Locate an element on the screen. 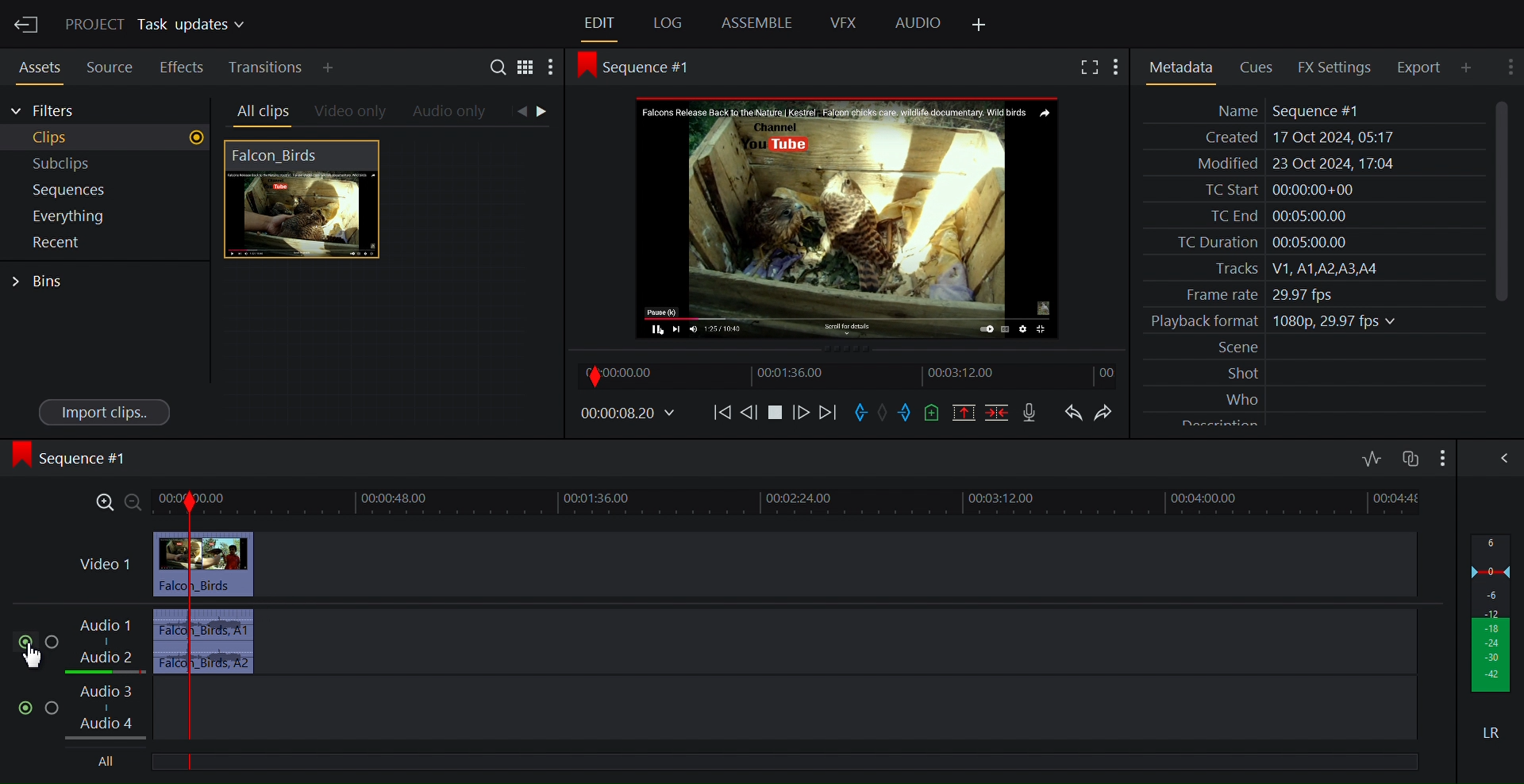  Timecodes and reels is located at coordinates (625, 413).